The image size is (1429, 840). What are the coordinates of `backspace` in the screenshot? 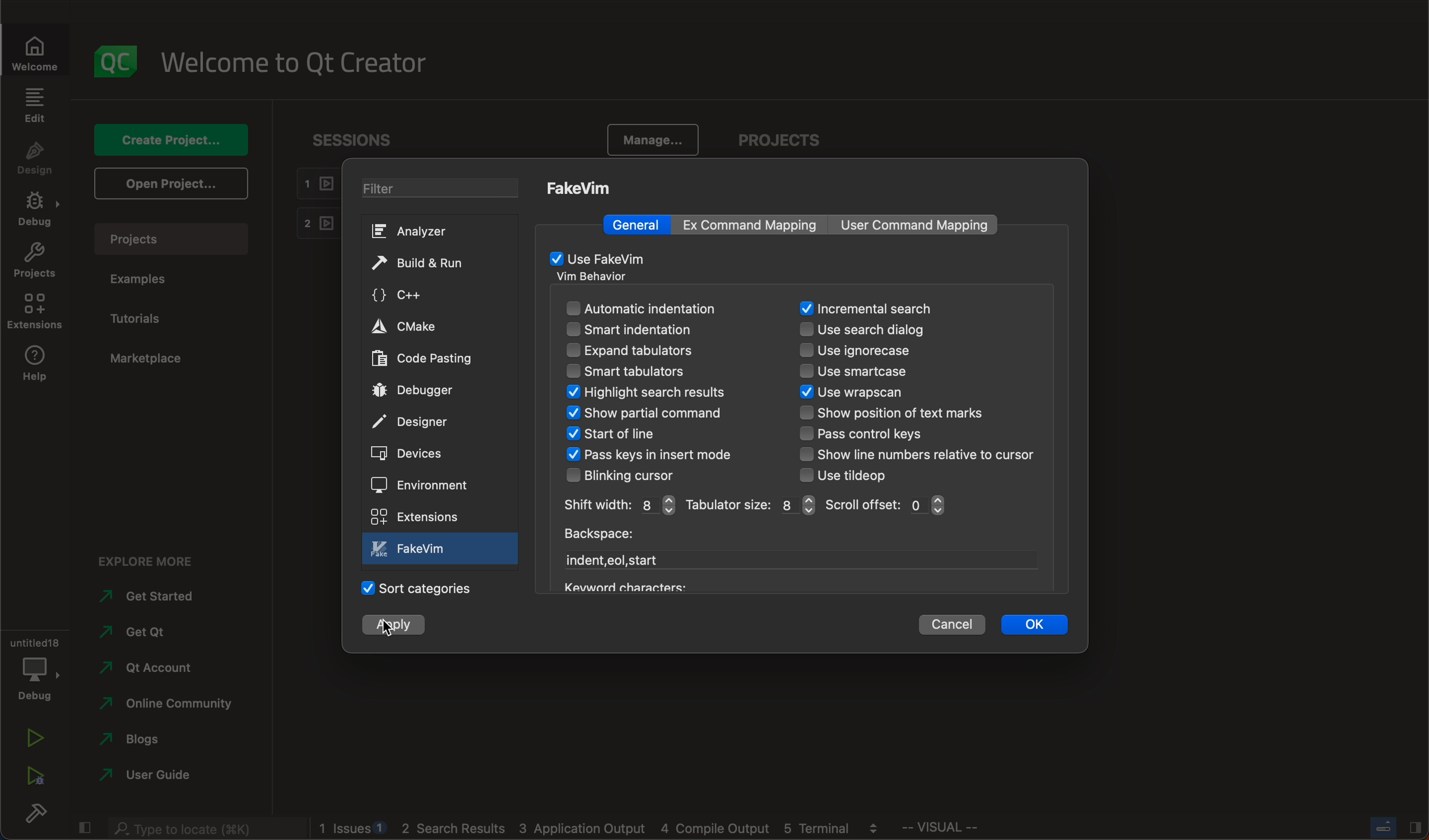 It's located at (597, 537).